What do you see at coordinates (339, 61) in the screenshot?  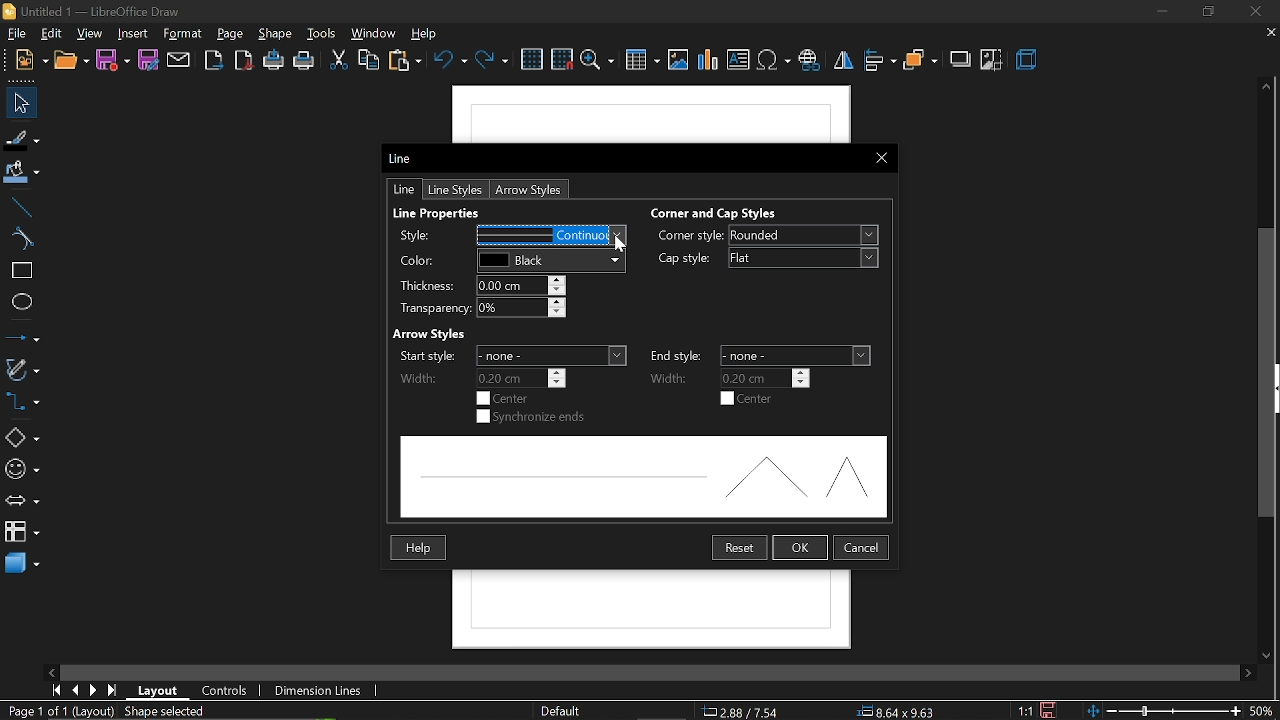 I see `cut ` at bounding box center [339, 61].